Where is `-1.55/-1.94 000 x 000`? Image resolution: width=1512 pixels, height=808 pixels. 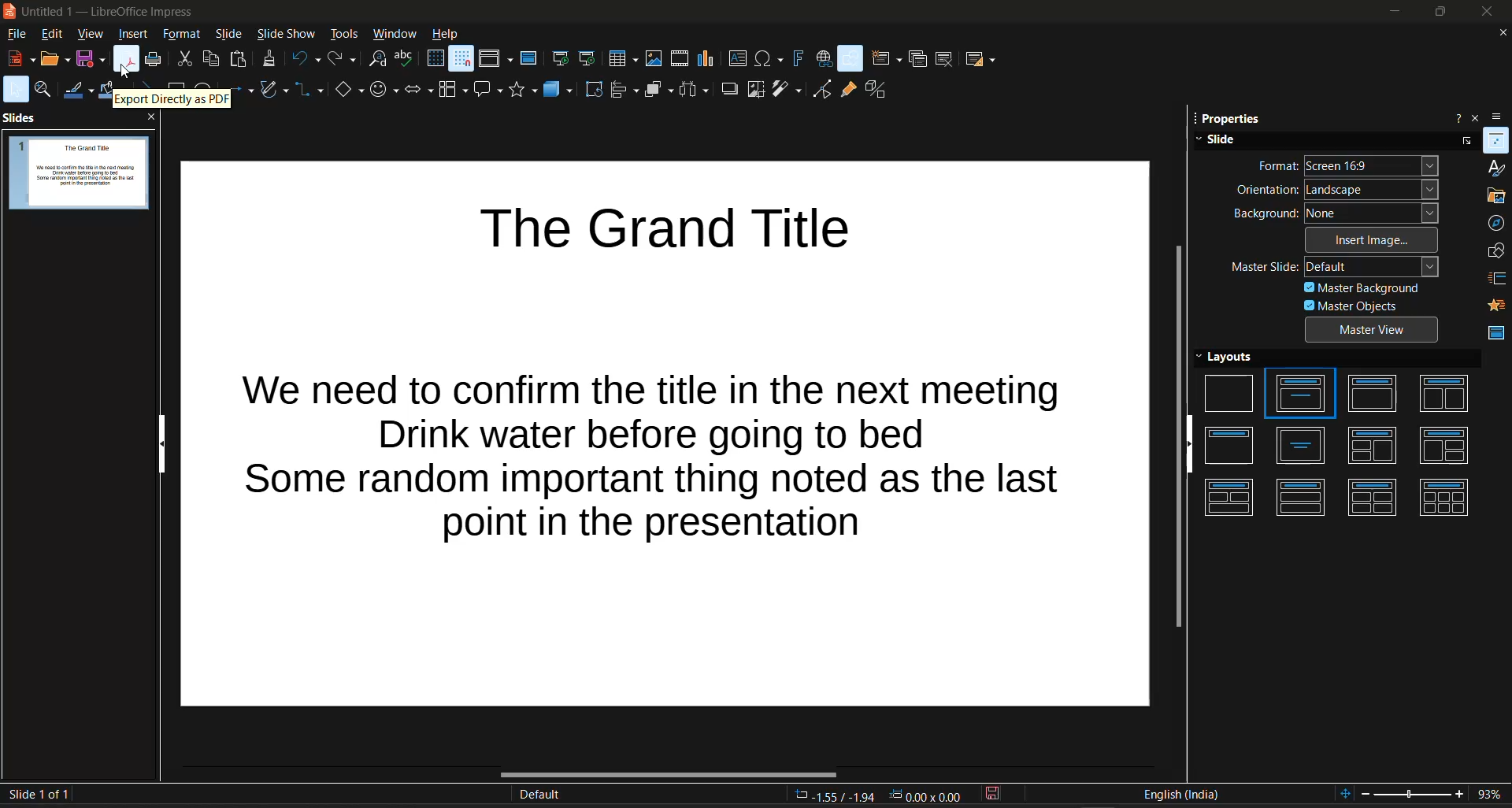
-1.55/-1.94 000 x 000 is located at coordinates (879, 795).